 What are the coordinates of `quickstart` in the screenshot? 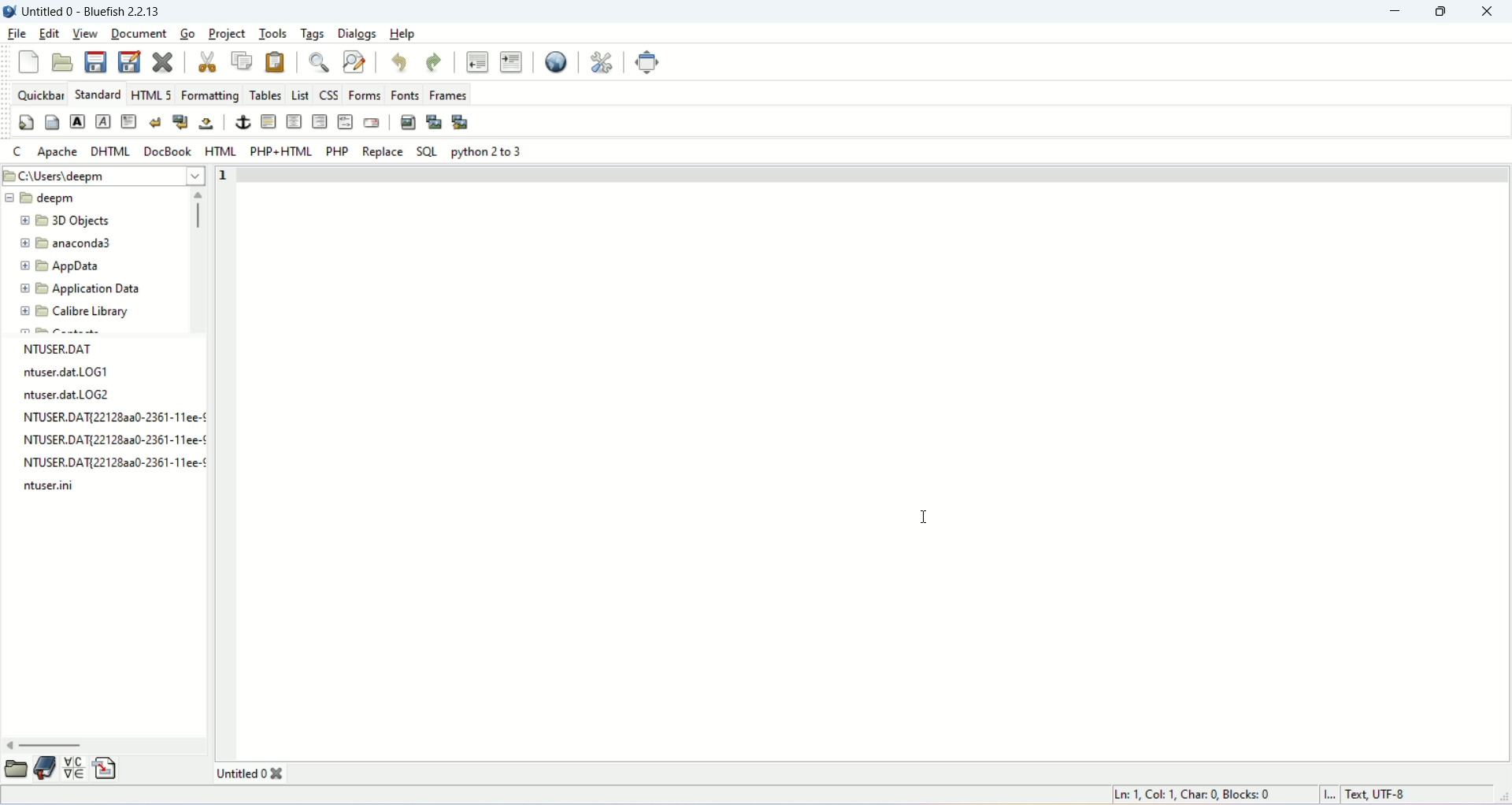 It's located at (27, 123).